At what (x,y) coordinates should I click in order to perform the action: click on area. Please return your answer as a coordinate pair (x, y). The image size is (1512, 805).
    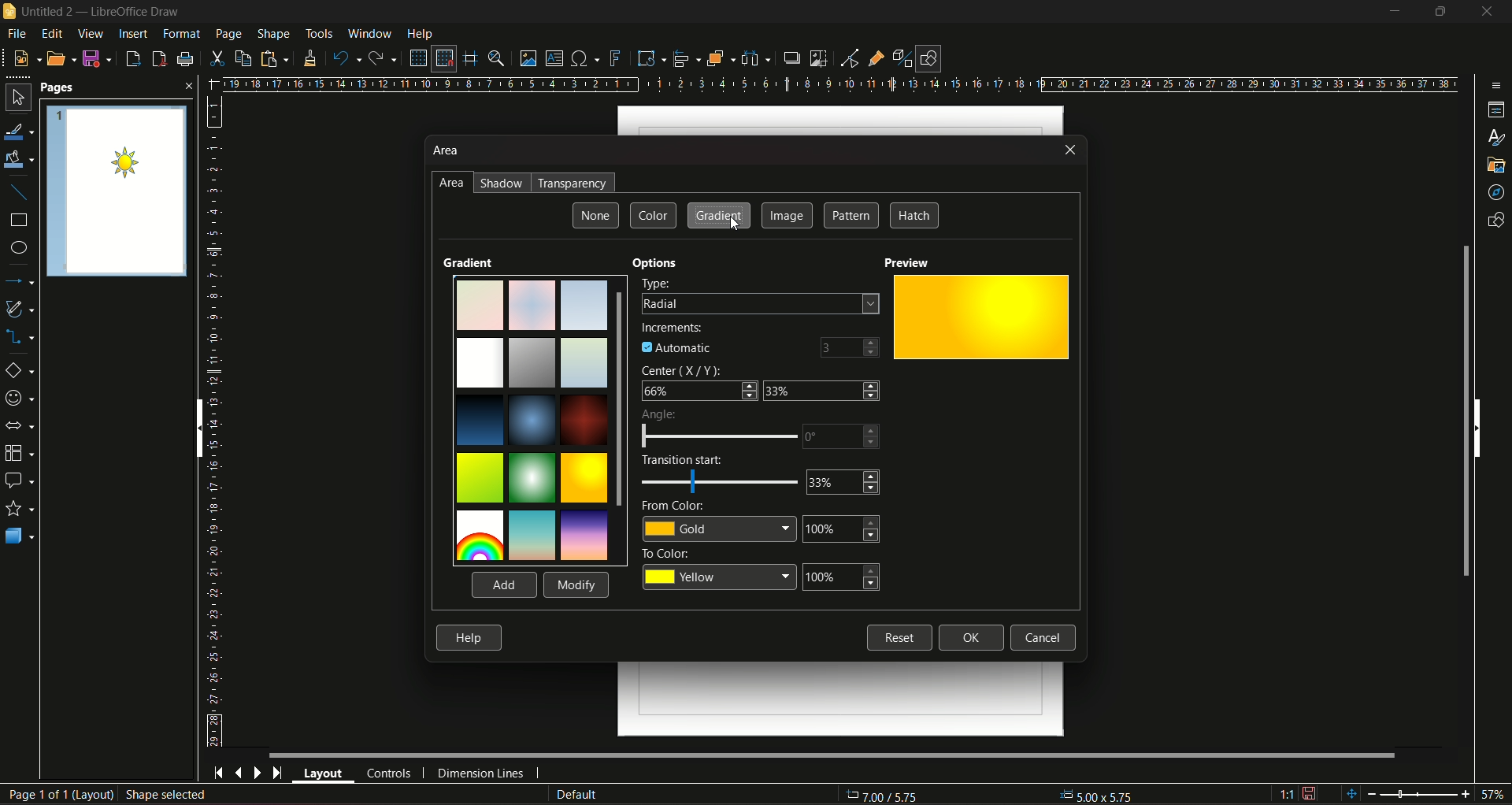
    Looking at the image, I should click on (455, 182).